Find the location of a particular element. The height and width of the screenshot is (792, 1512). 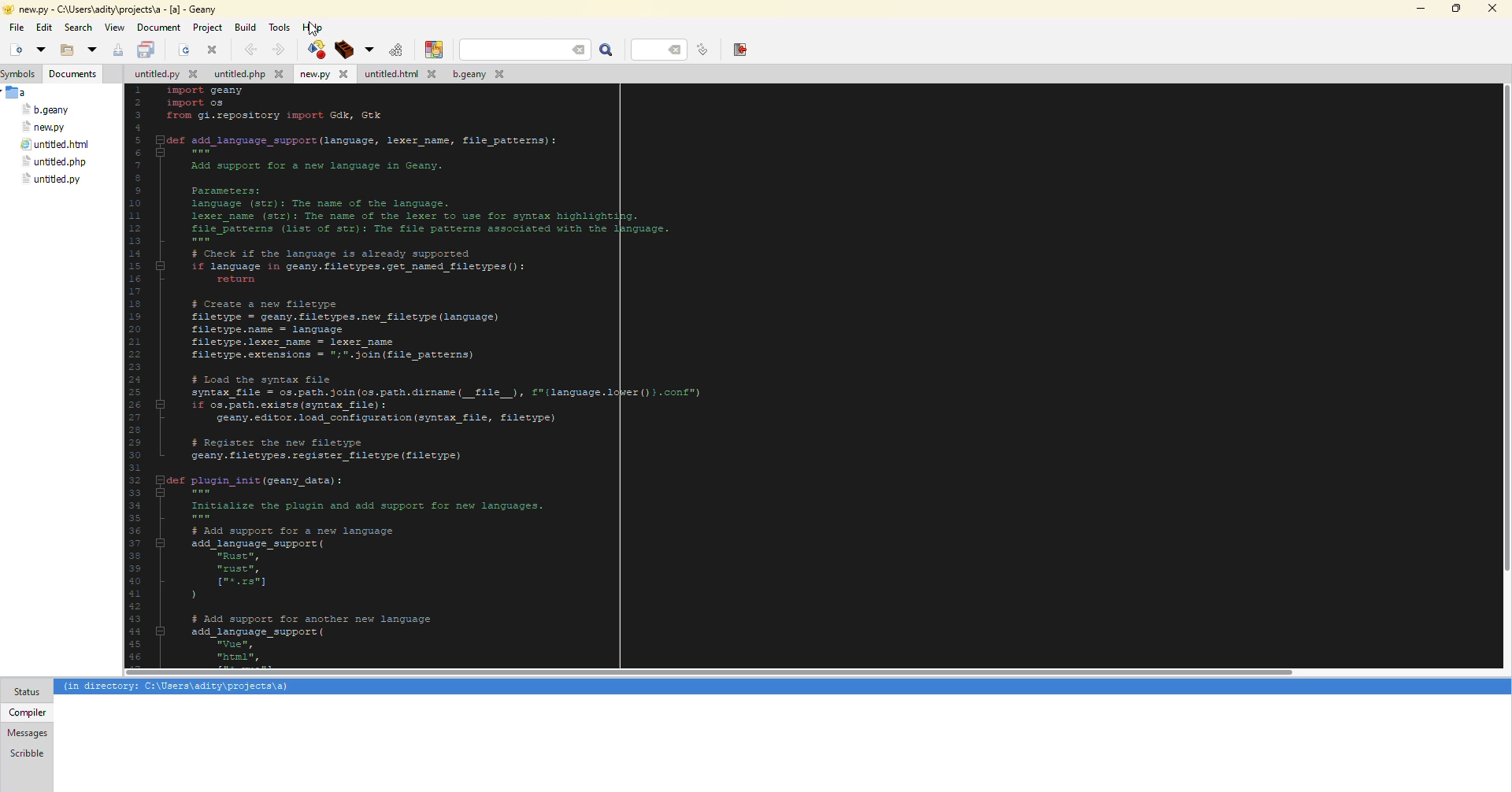

code is located at coordinates (513, 373).